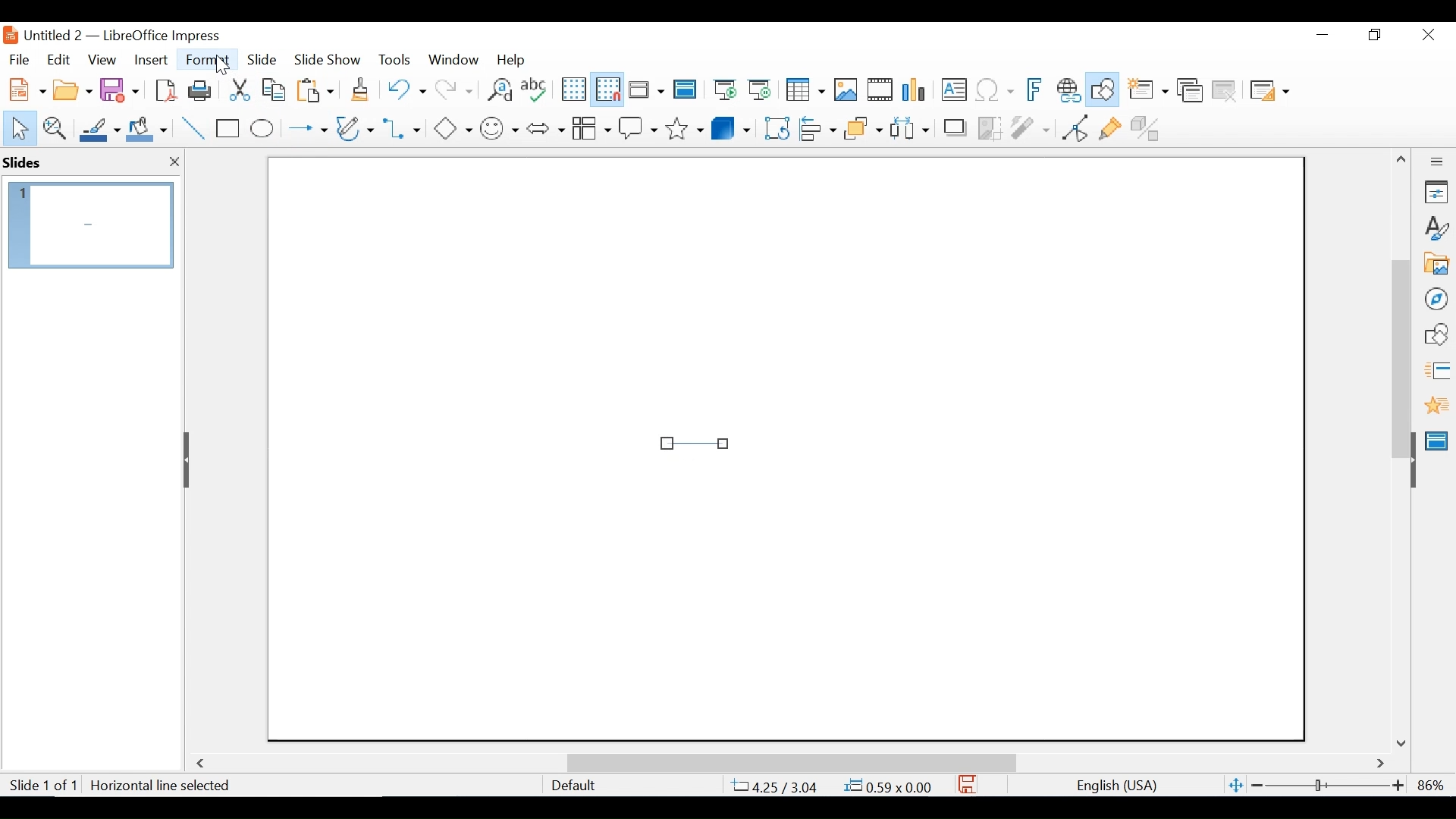  I want to click on Ellipse, so click(262, 129).